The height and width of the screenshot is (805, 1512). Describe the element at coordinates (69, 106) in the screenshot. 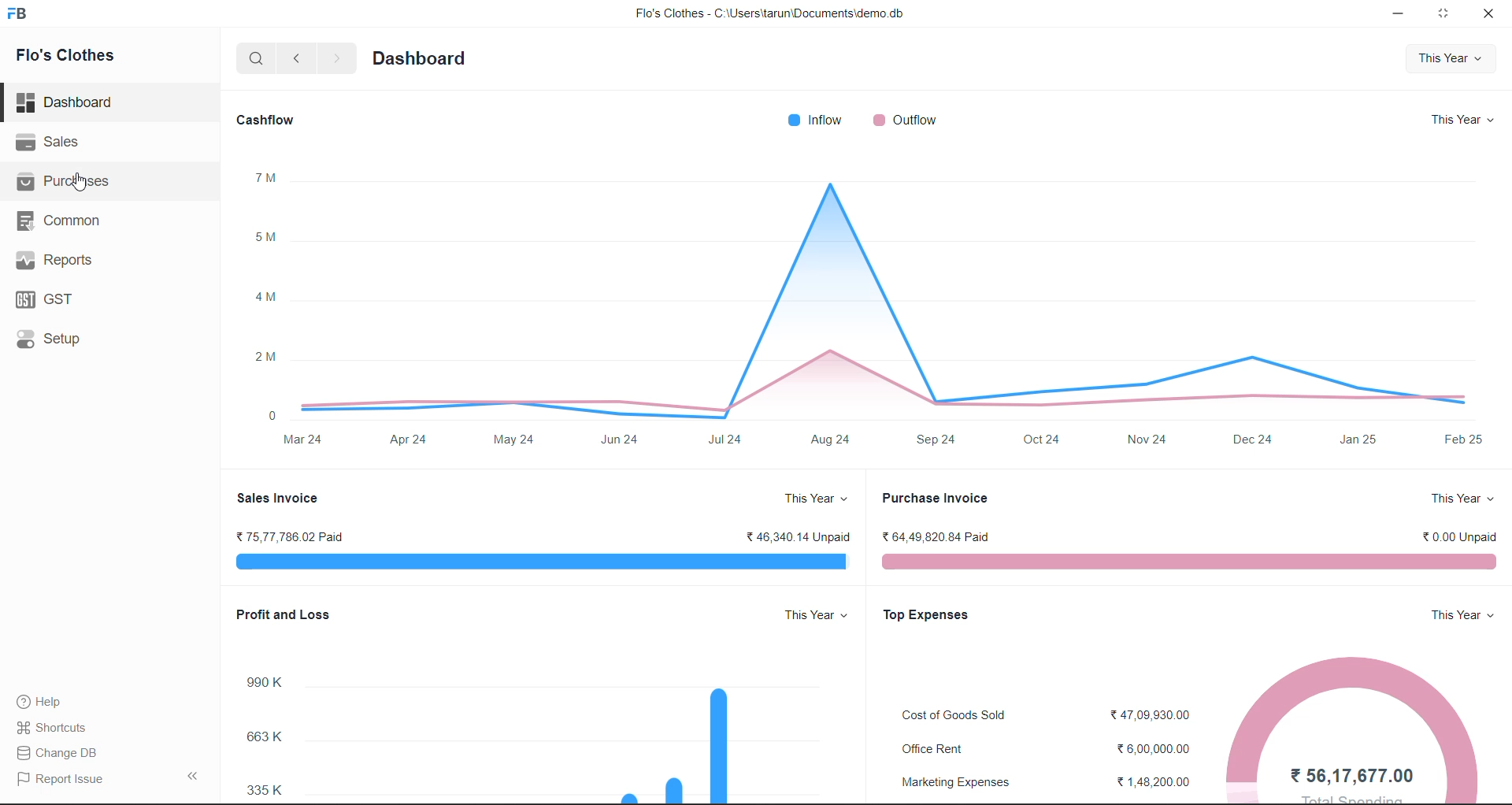

I see ` Dashboard` at that location.